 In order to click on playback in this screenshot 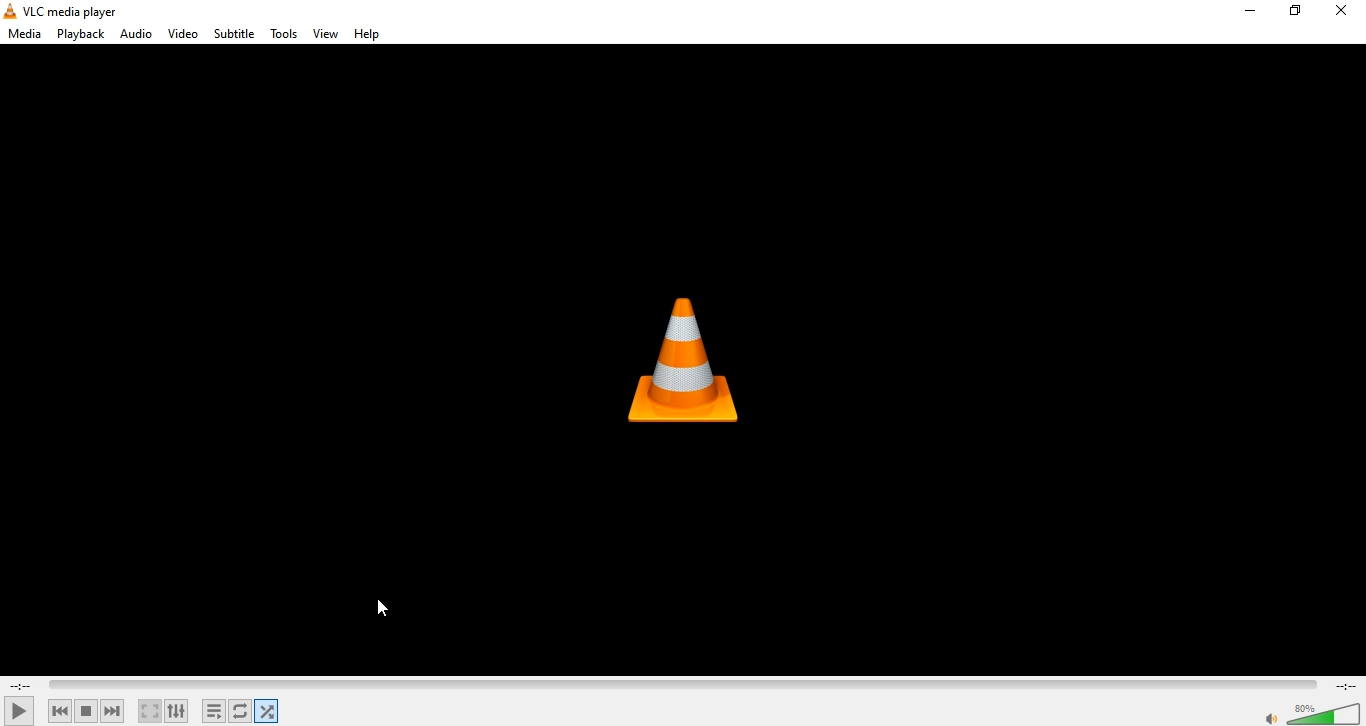, I will do `click(79, 35)`.